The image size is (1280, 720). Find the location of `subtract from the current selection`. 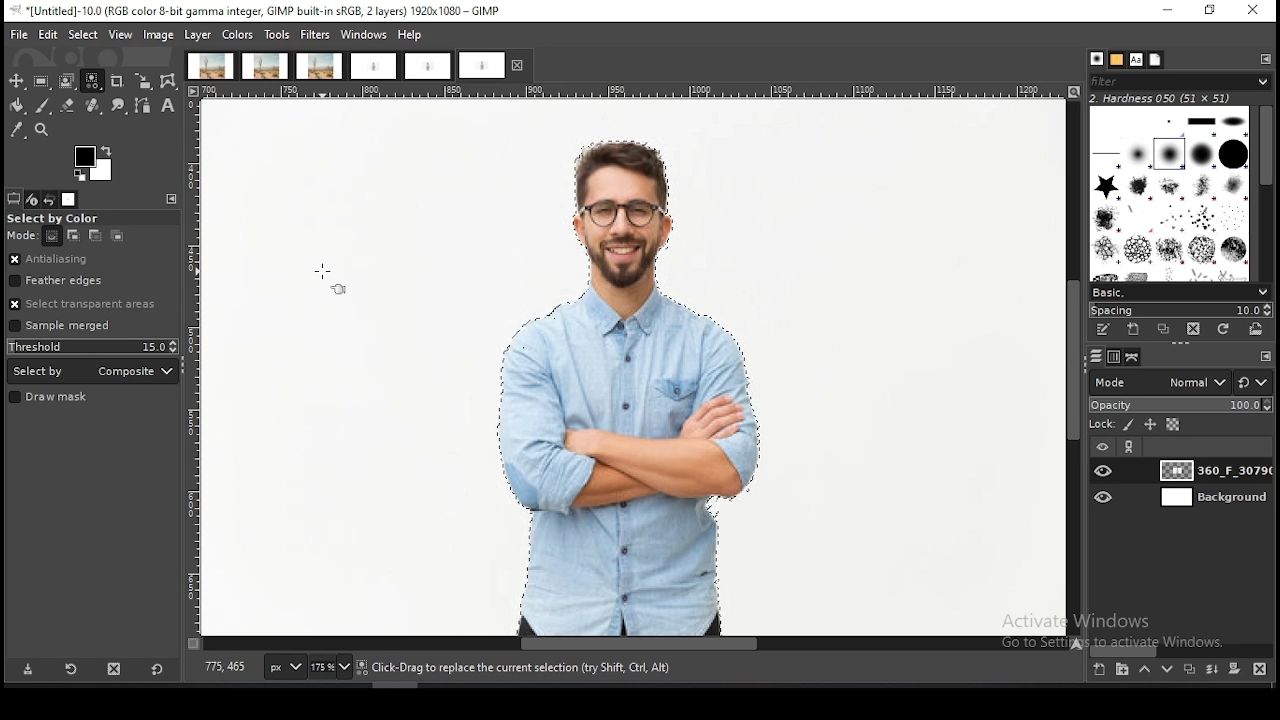

subtract from the current selection is located at coordinates (94, 236).